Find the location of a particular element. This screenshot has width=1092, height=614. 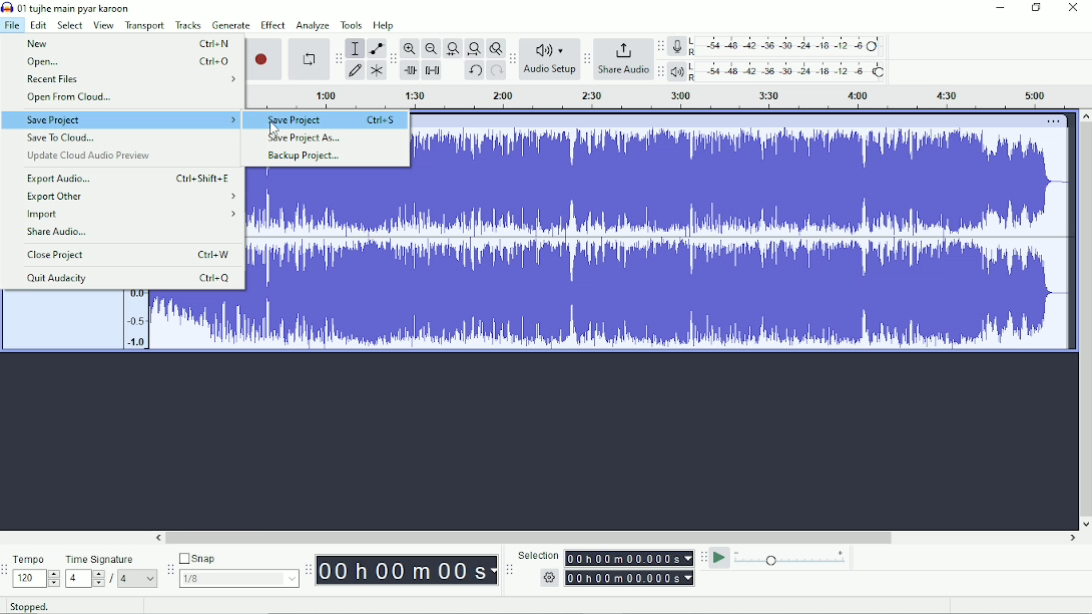

Audacity record meter toolbar is located at coordinates (660, 47).